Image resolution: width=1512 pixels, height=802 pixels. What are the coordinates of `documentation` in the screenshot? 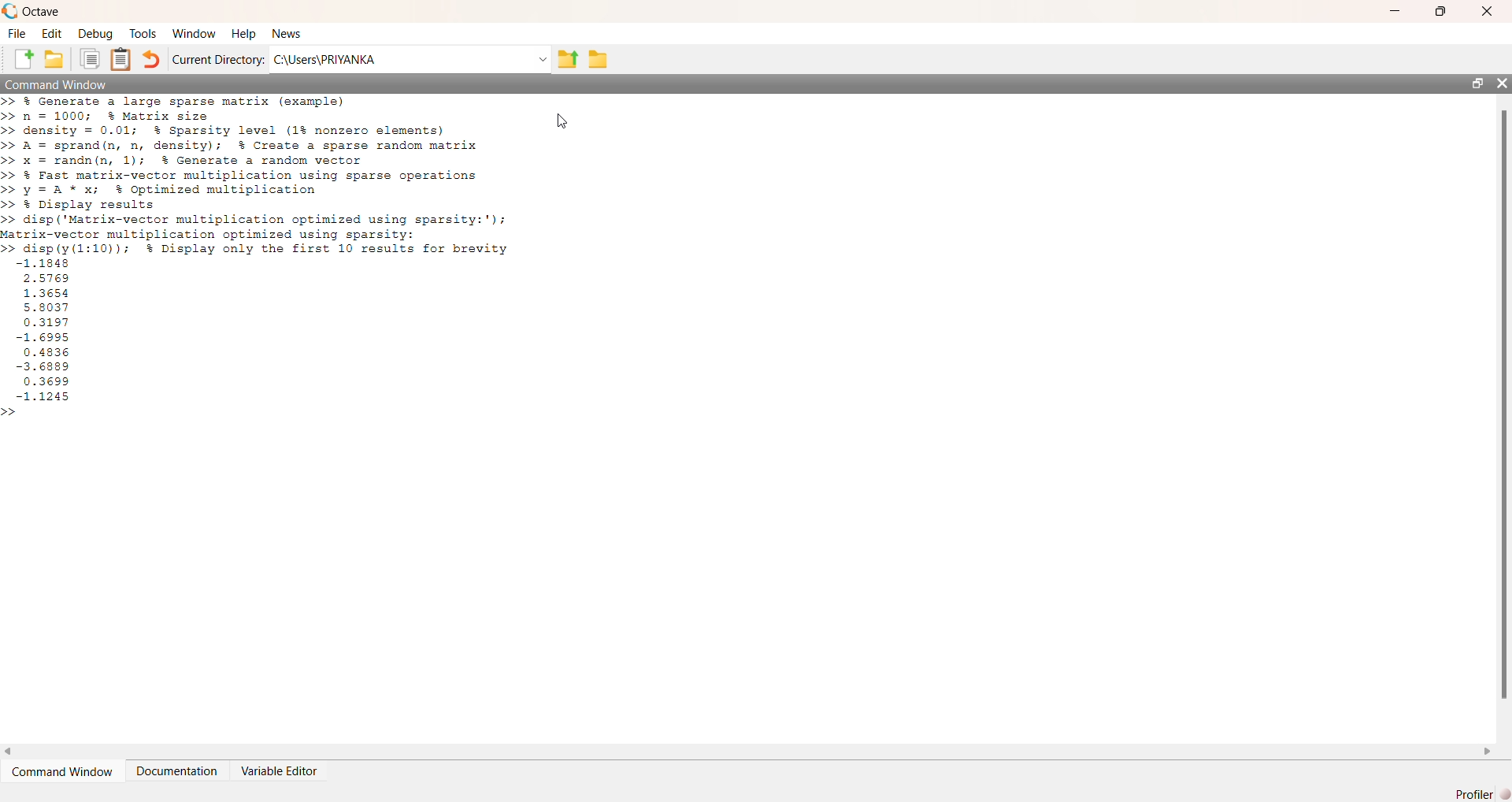 It's located at (177, 775).